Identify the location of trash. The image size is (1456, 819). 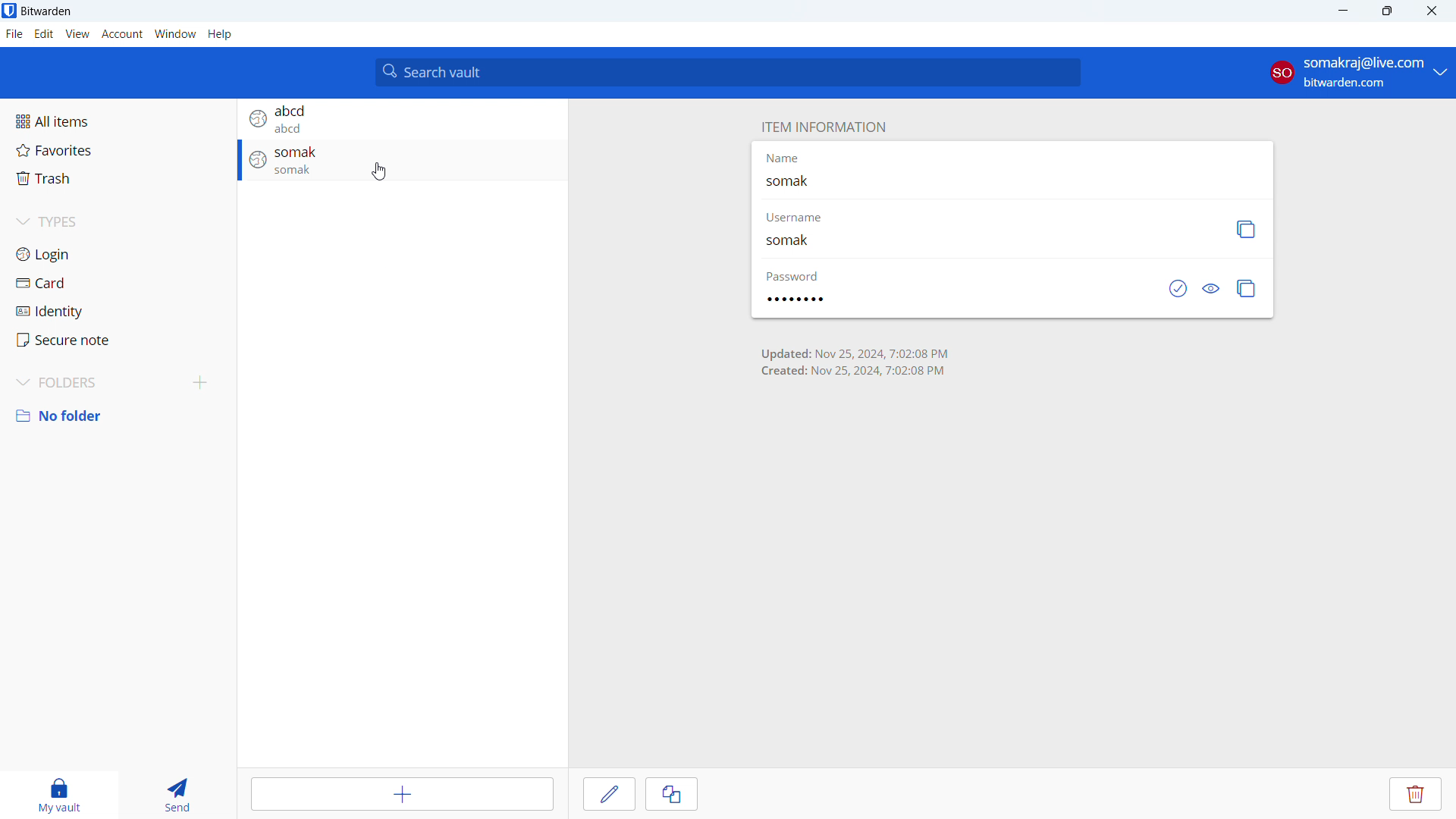
(118, 178).